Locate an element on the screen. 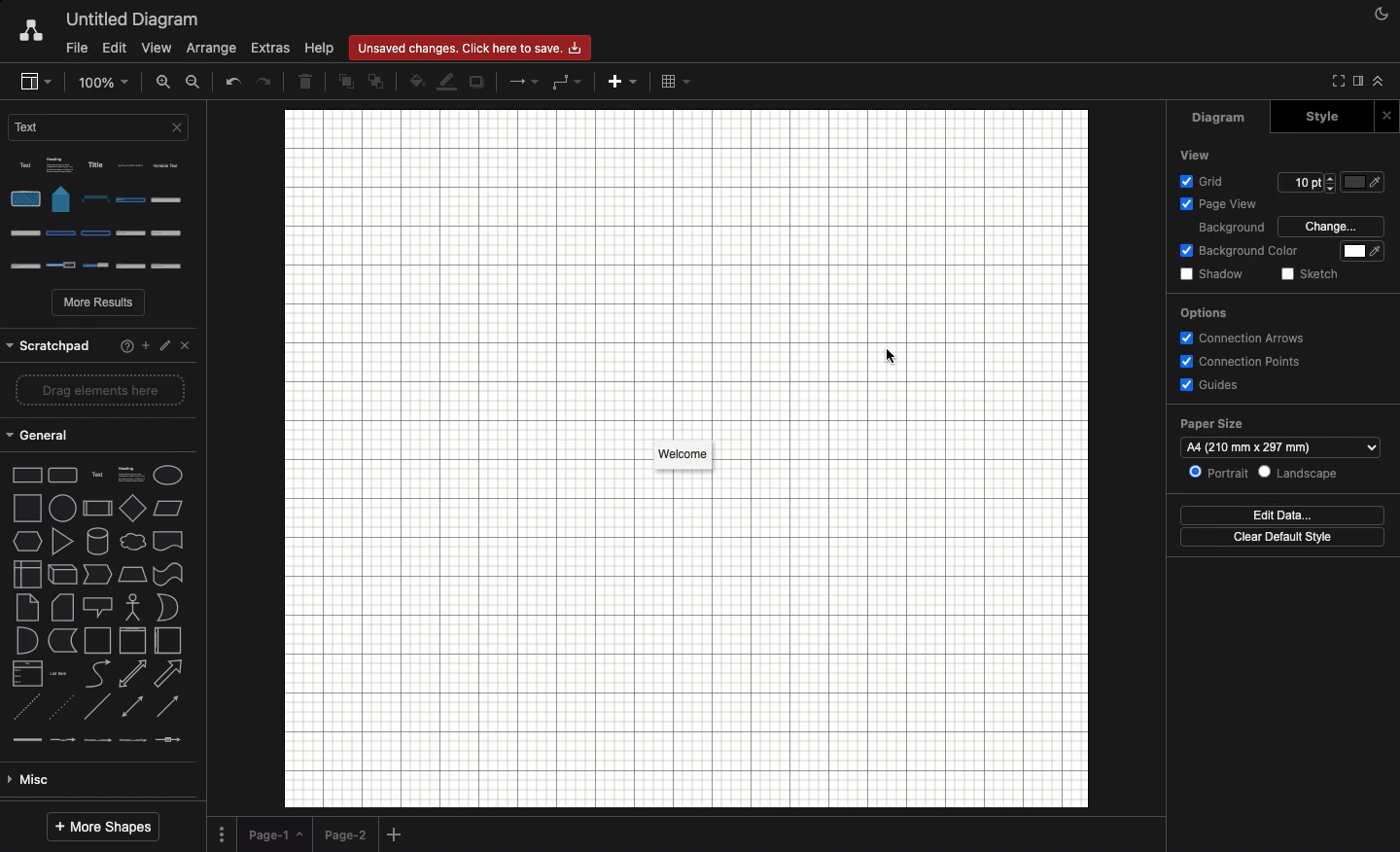  Entity relation is located at coordinates (63, 780).